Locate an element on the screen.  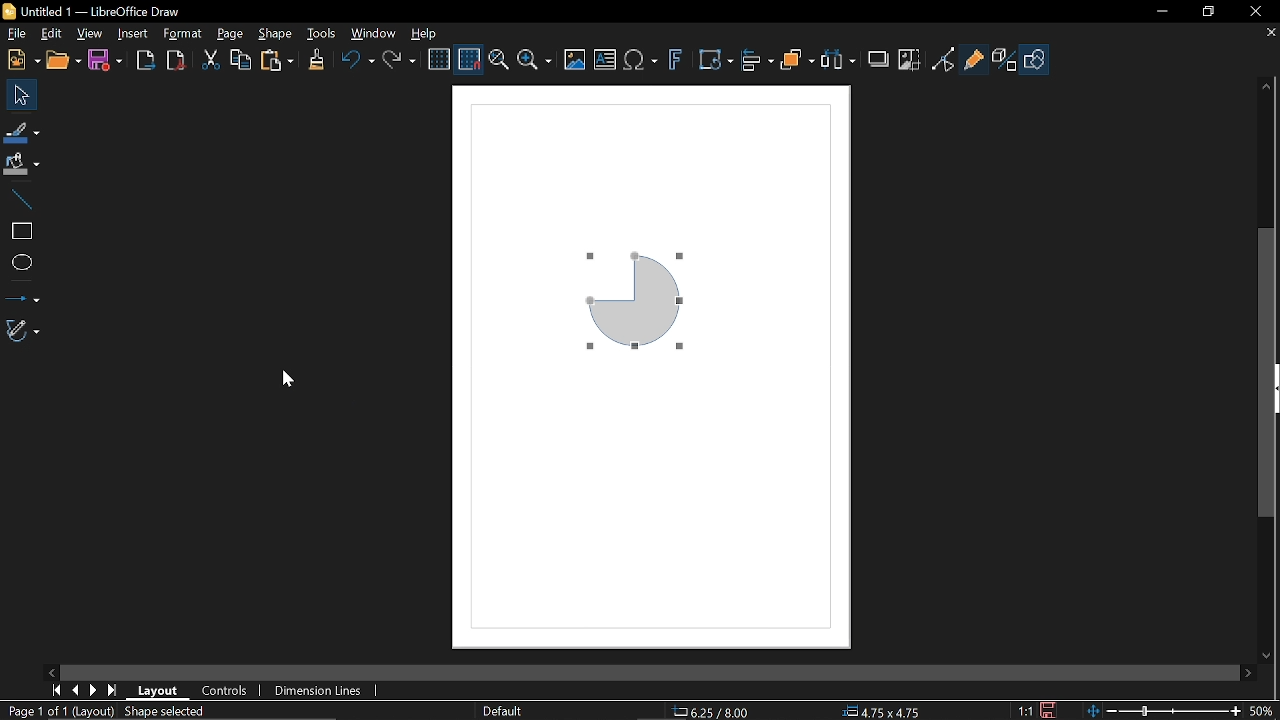
Change zoom is located at coordinates (1164, 711).